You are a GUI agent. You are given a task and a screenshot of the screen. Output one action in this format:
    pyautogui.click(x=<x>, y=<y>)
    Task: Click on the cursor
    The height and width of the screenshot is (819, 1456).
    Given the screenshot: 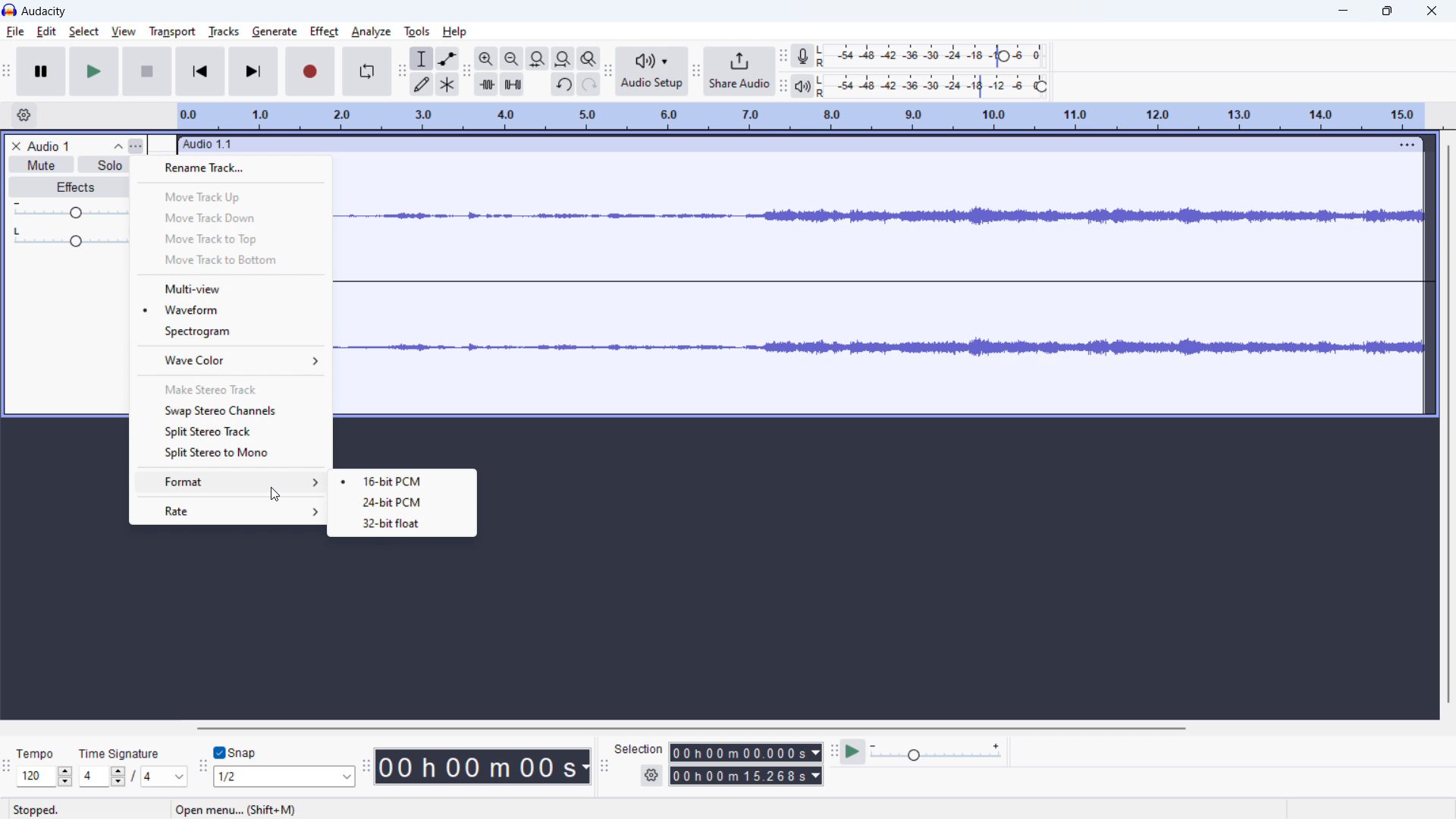 What is the action you would take?
    pyautogui.click(x=279, y=494)
    